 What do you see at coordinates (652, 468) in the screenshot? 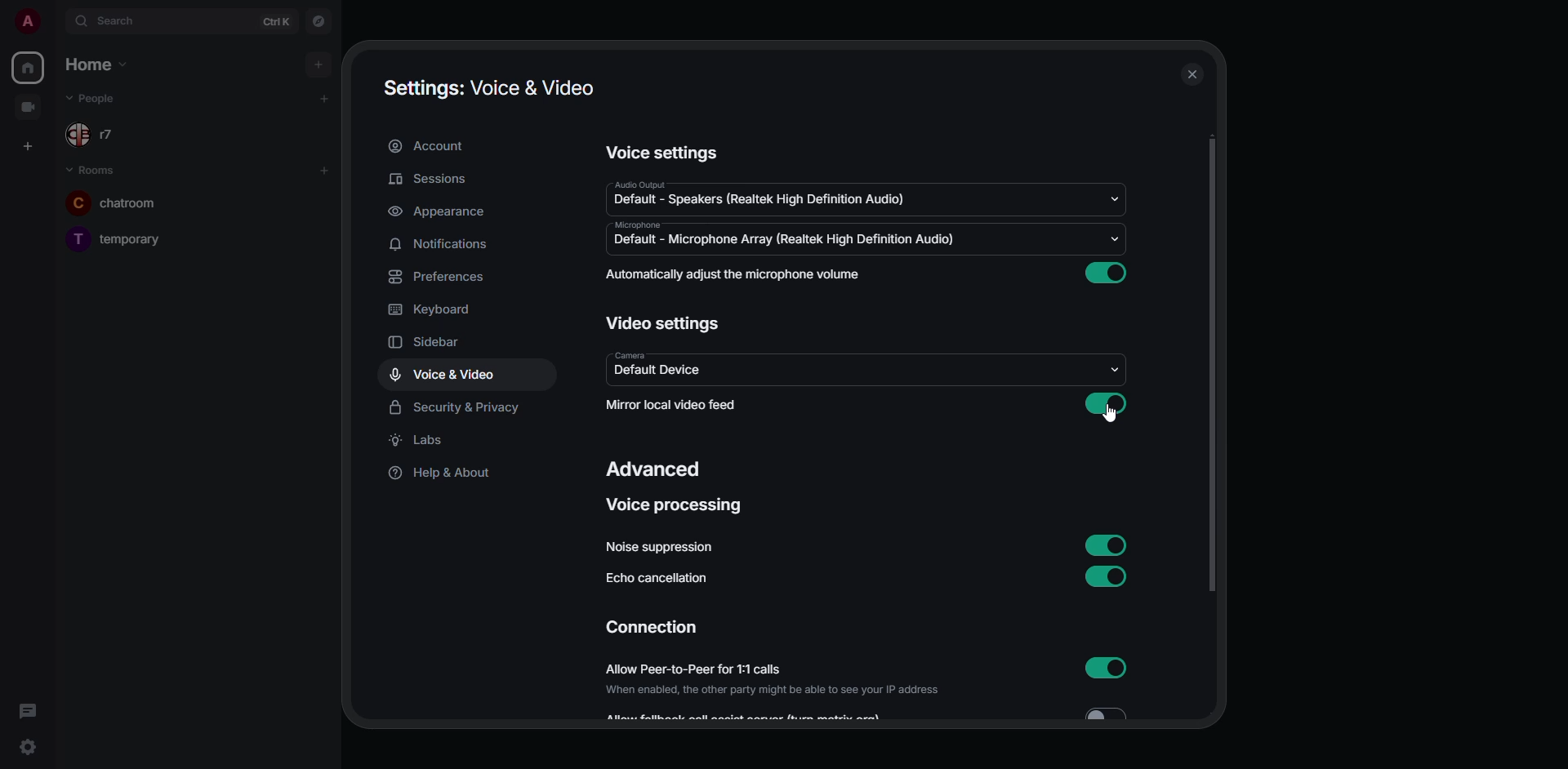
I see `advanced` at bounding box center [652, 468].